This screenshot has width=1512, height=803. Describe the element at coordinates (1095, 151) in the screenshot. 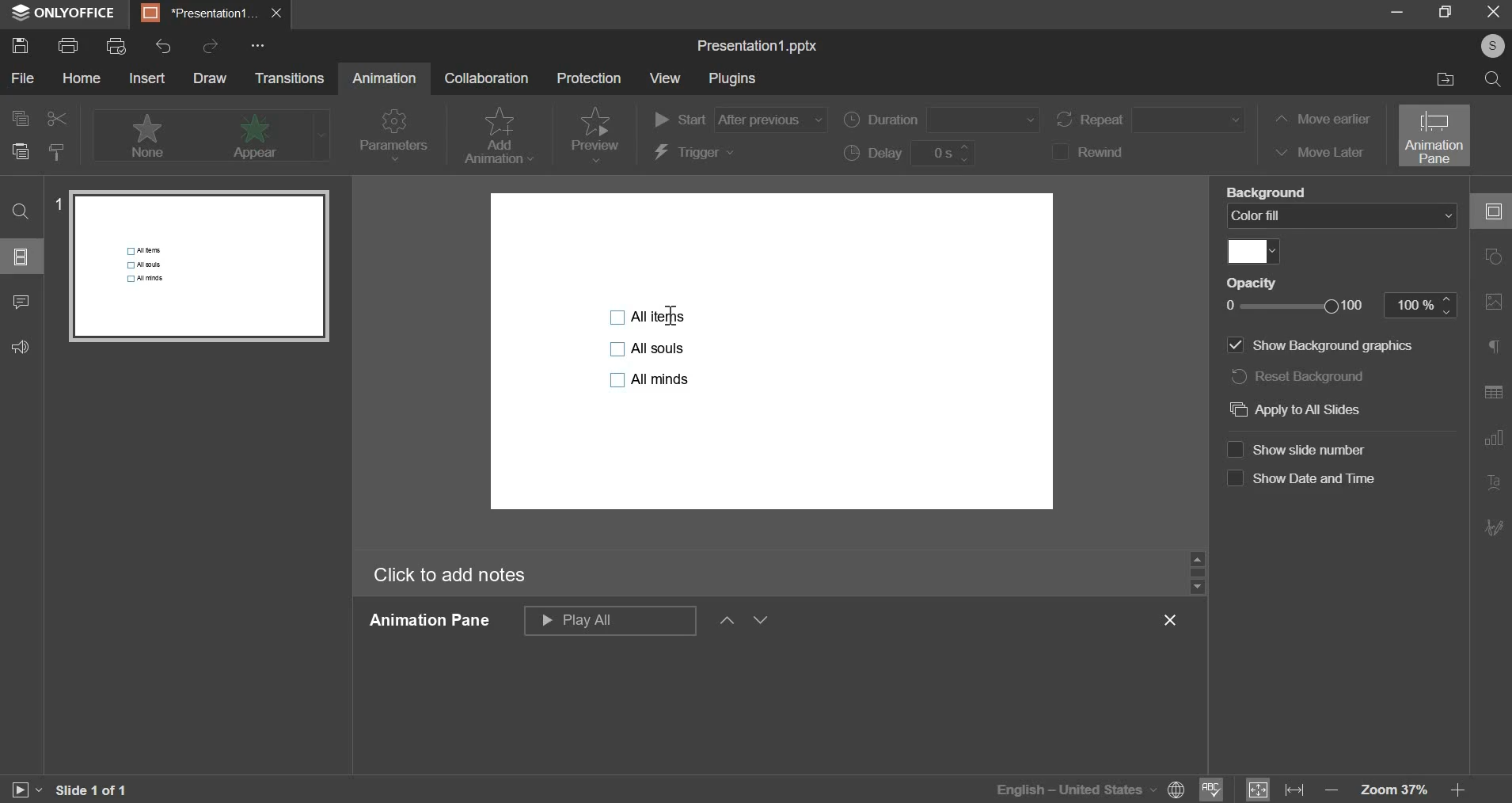

I see `rewind` at that location.